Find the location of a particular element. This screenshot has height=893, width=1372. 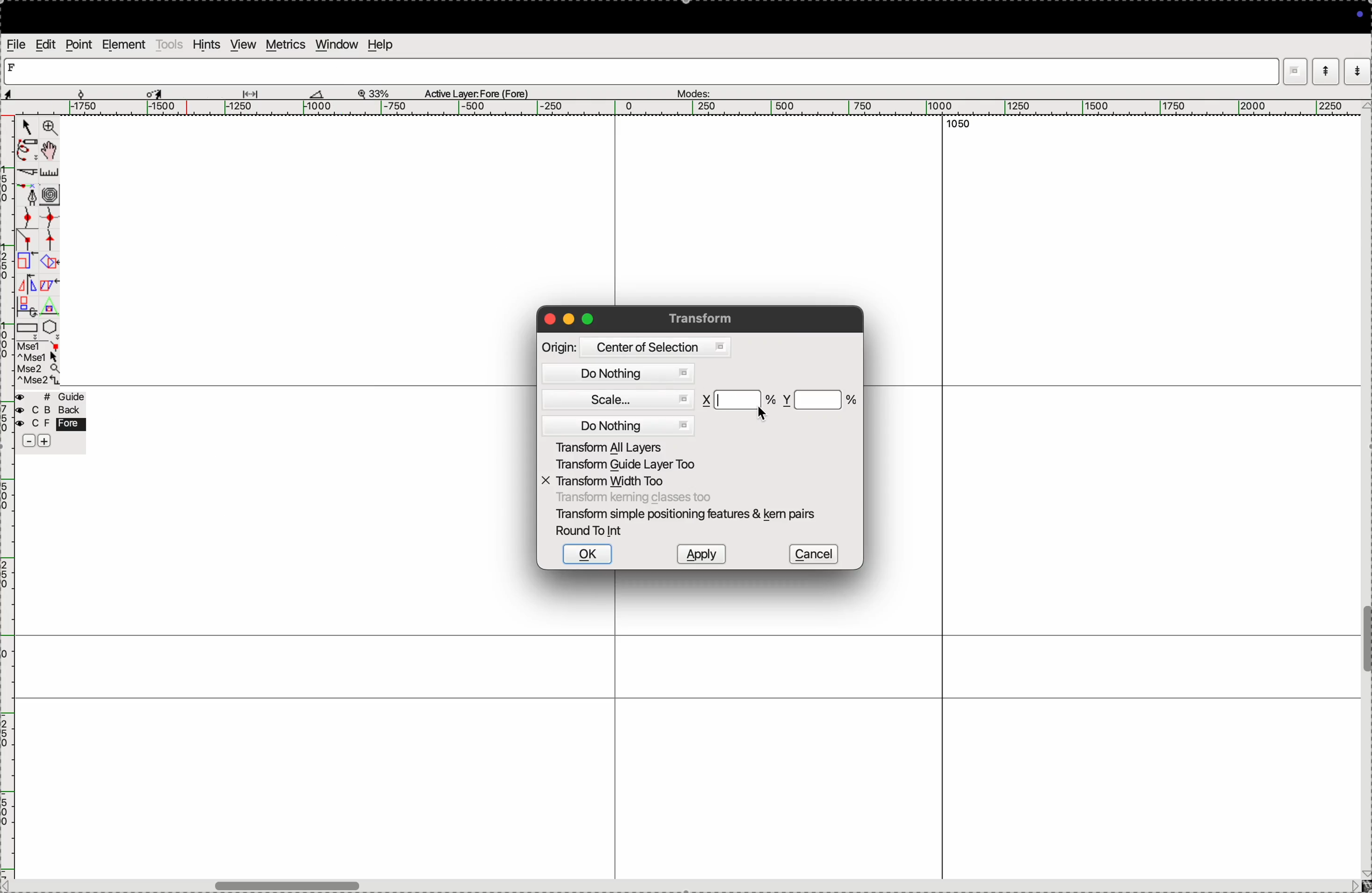

cursor is located at coordinates (762, 413).